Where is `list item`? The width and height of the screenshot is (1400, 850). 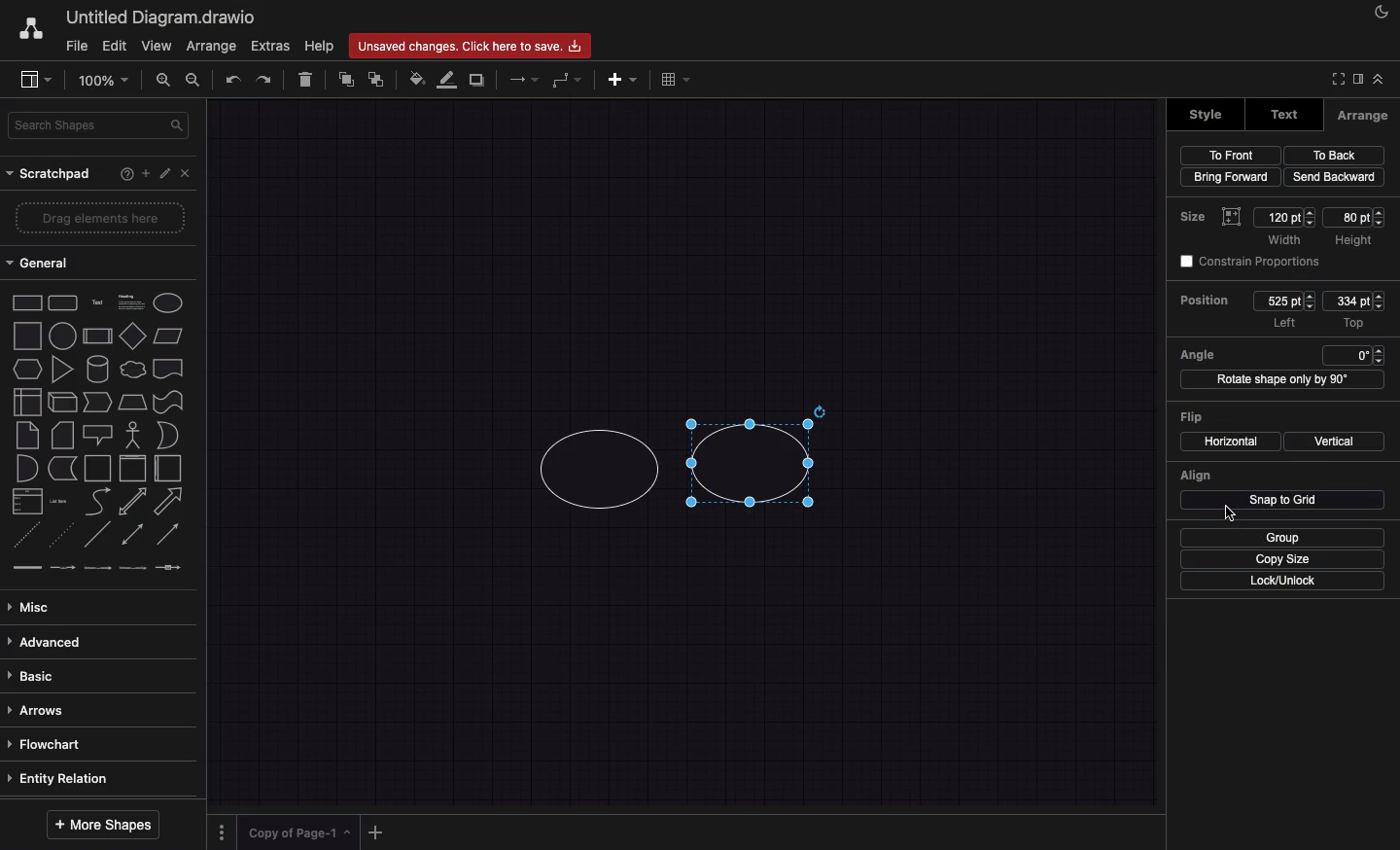 list item is located at coordinates (58, 502).